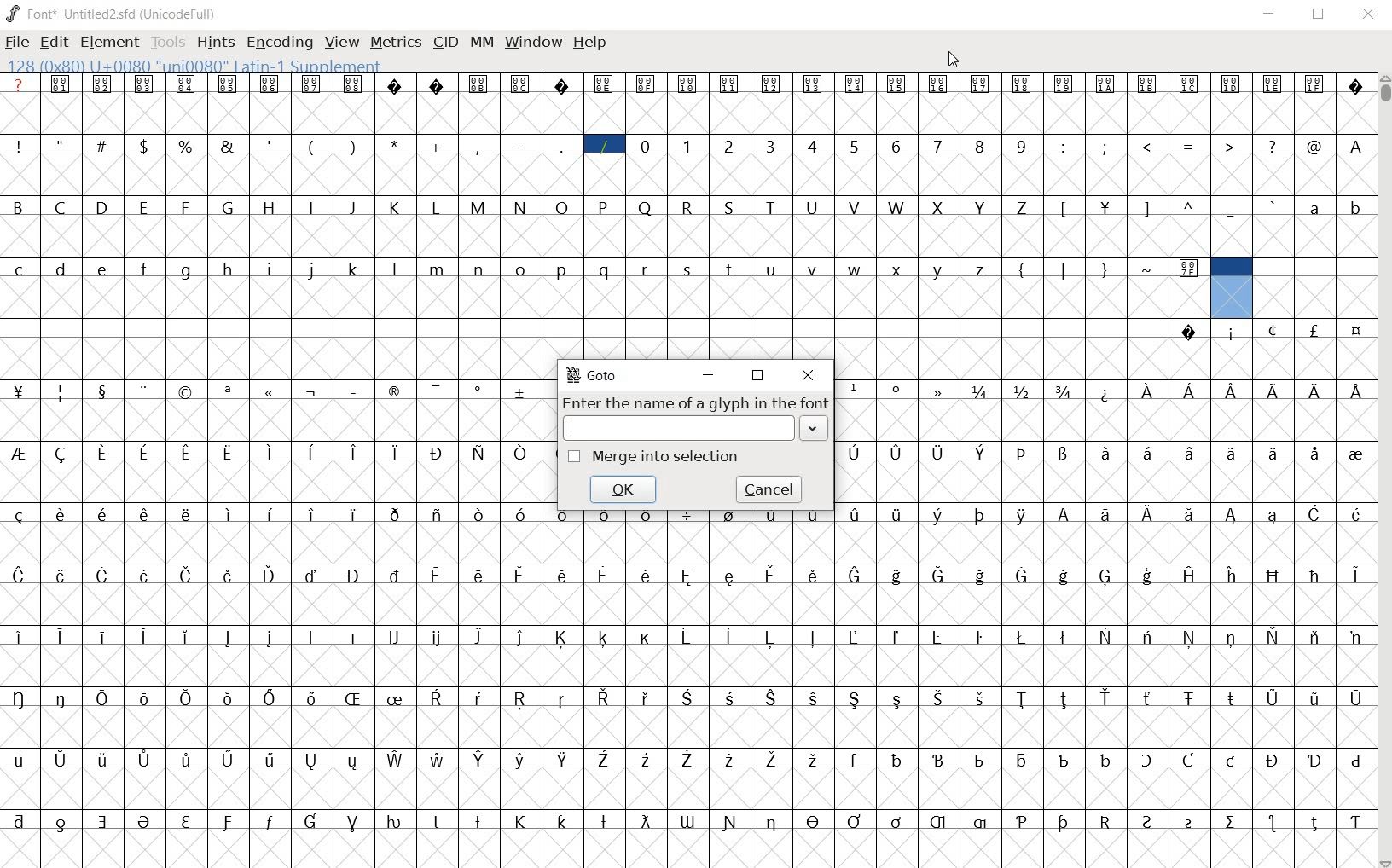 Image resolution: width=1392 pixels, height=868 pixels. Describe the element at coordinates (1191, 638) in the screenshot. I see `Symbol` at that location.